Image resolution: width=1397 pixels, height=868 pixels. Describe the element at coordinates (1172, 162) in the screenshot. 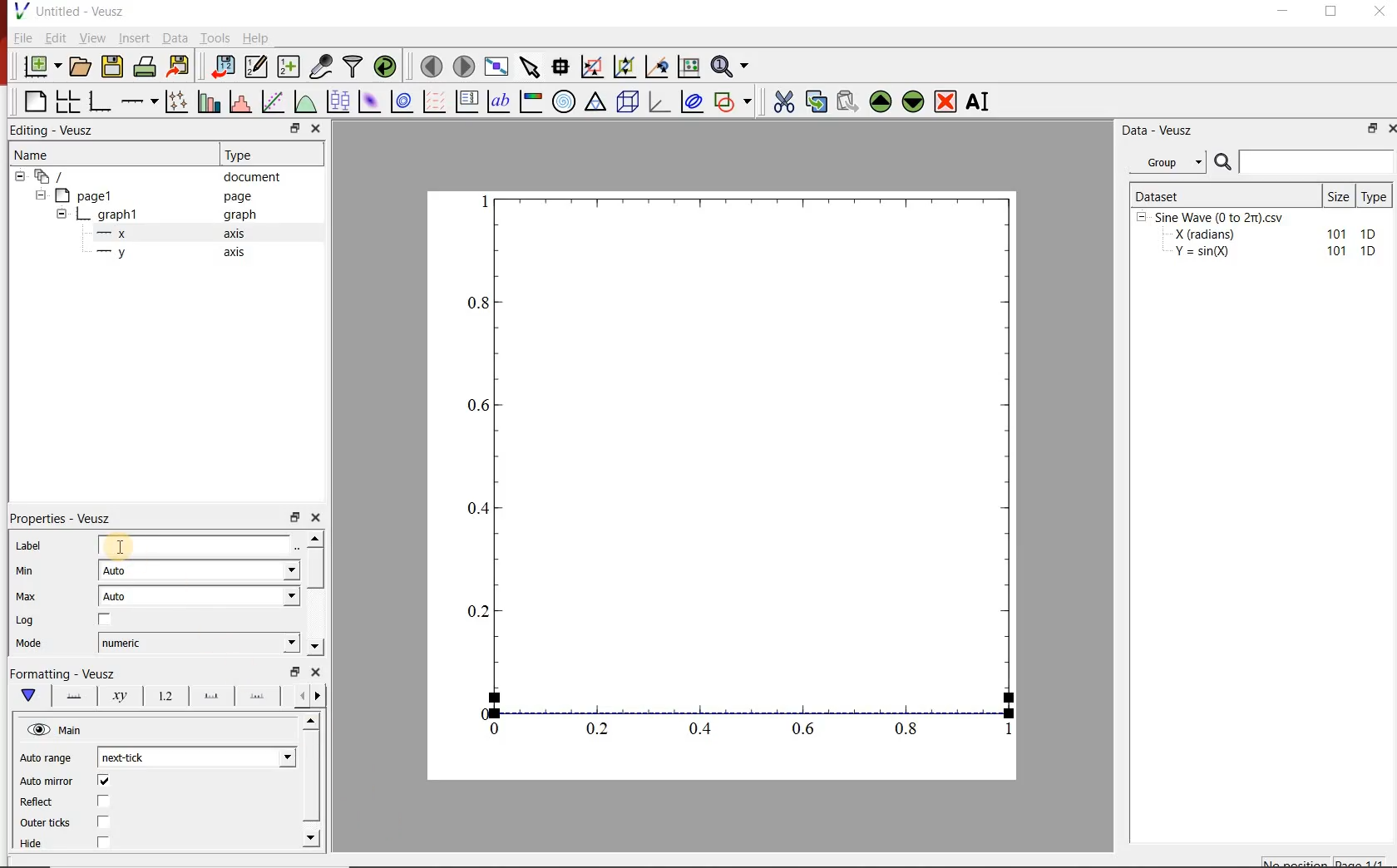

I see `Group` at that location.